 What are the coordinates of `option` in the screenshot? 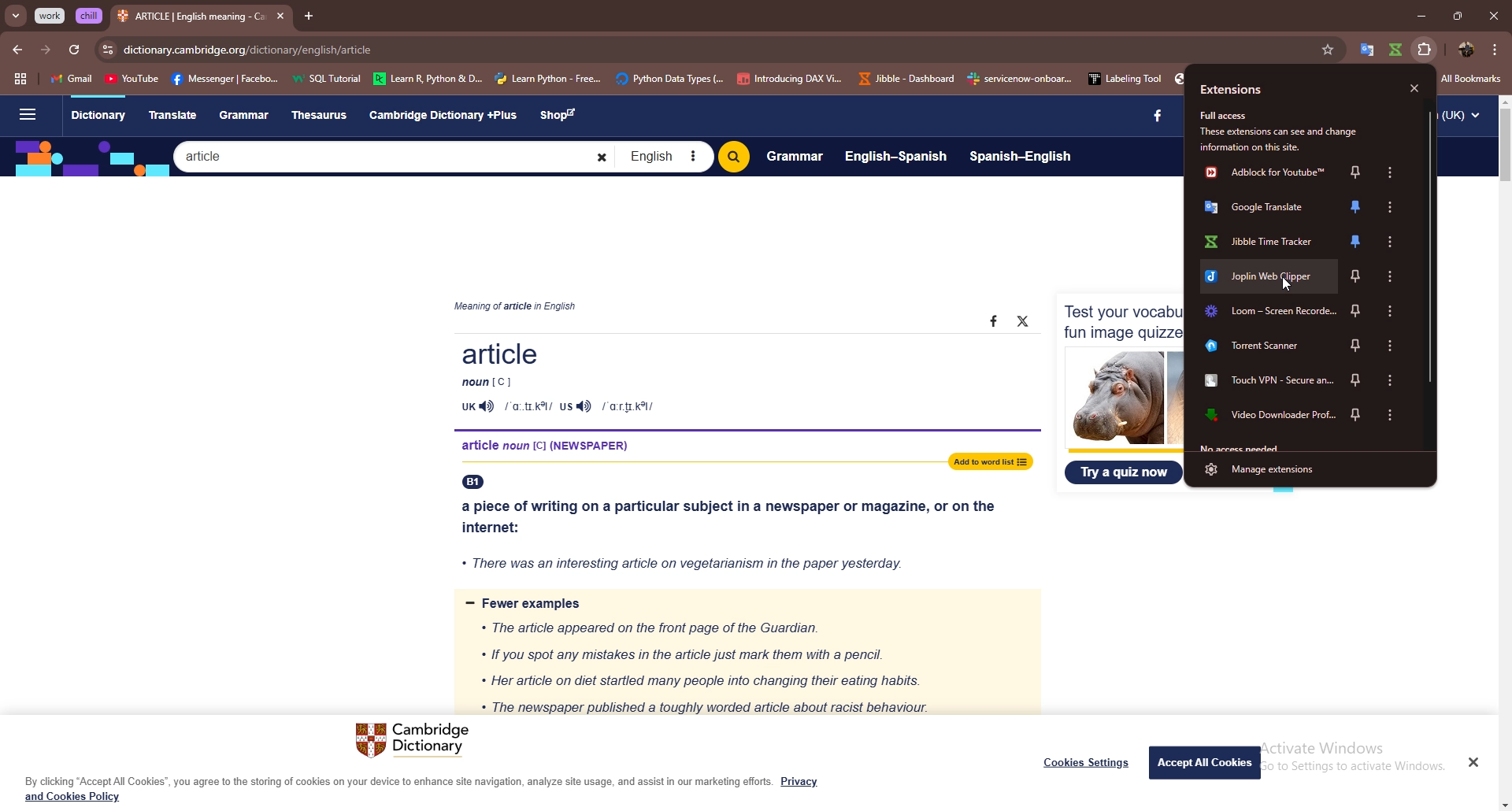 It's located at (1393, 311).